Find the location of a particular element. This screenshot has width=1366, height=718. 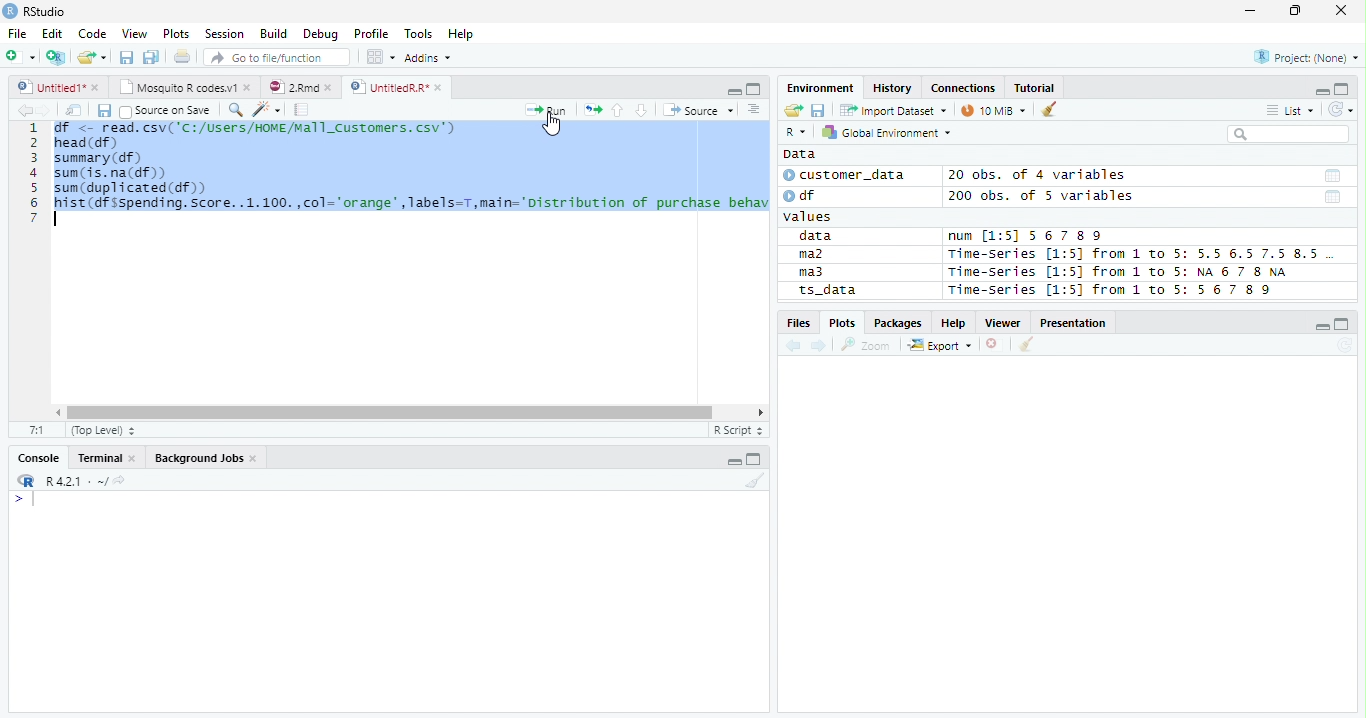

Global Environment is located at coordinates (887, 132).